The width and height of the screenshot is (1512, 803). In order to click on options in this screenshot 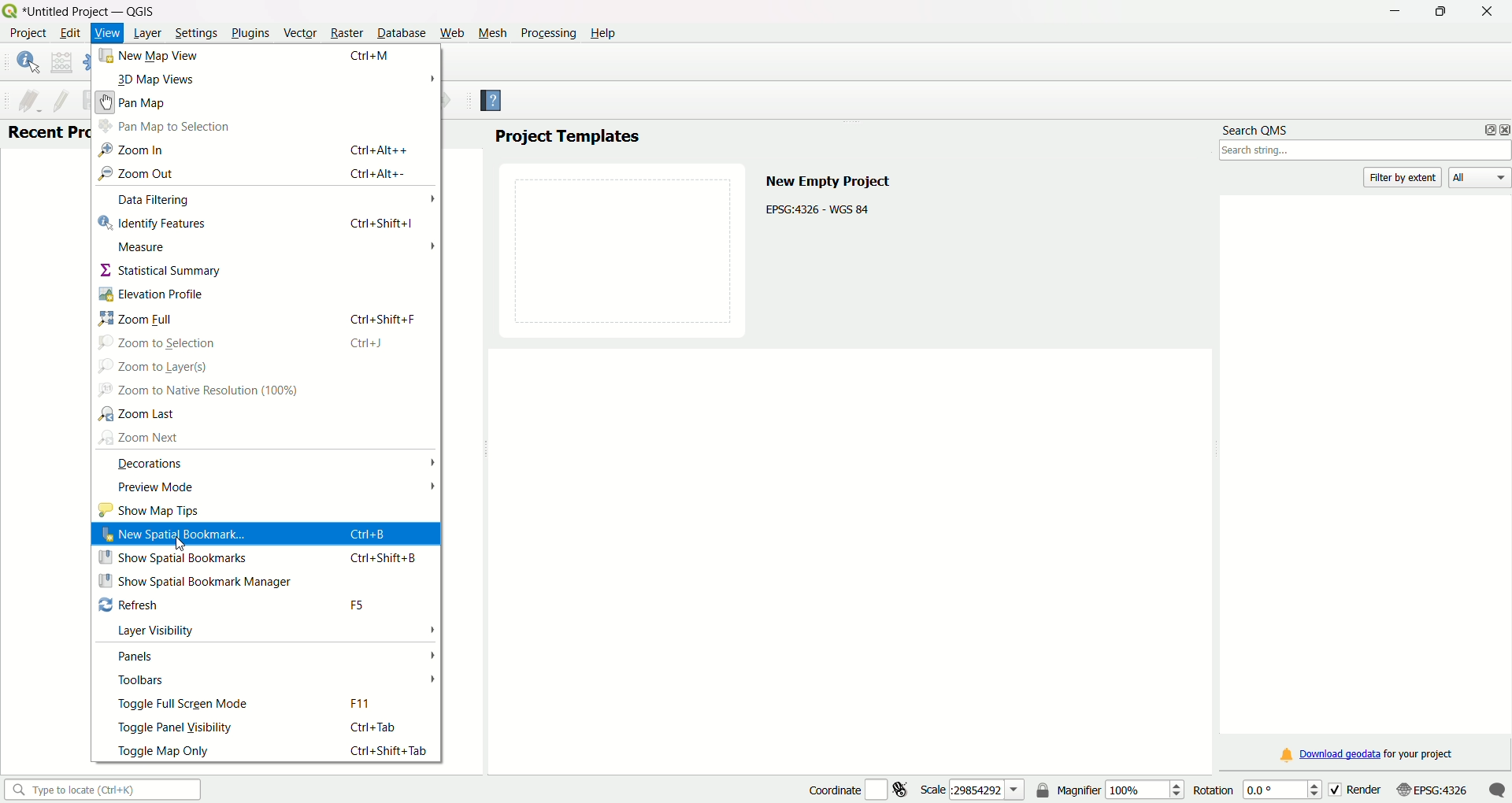, I will do `click(1485, 129)`.